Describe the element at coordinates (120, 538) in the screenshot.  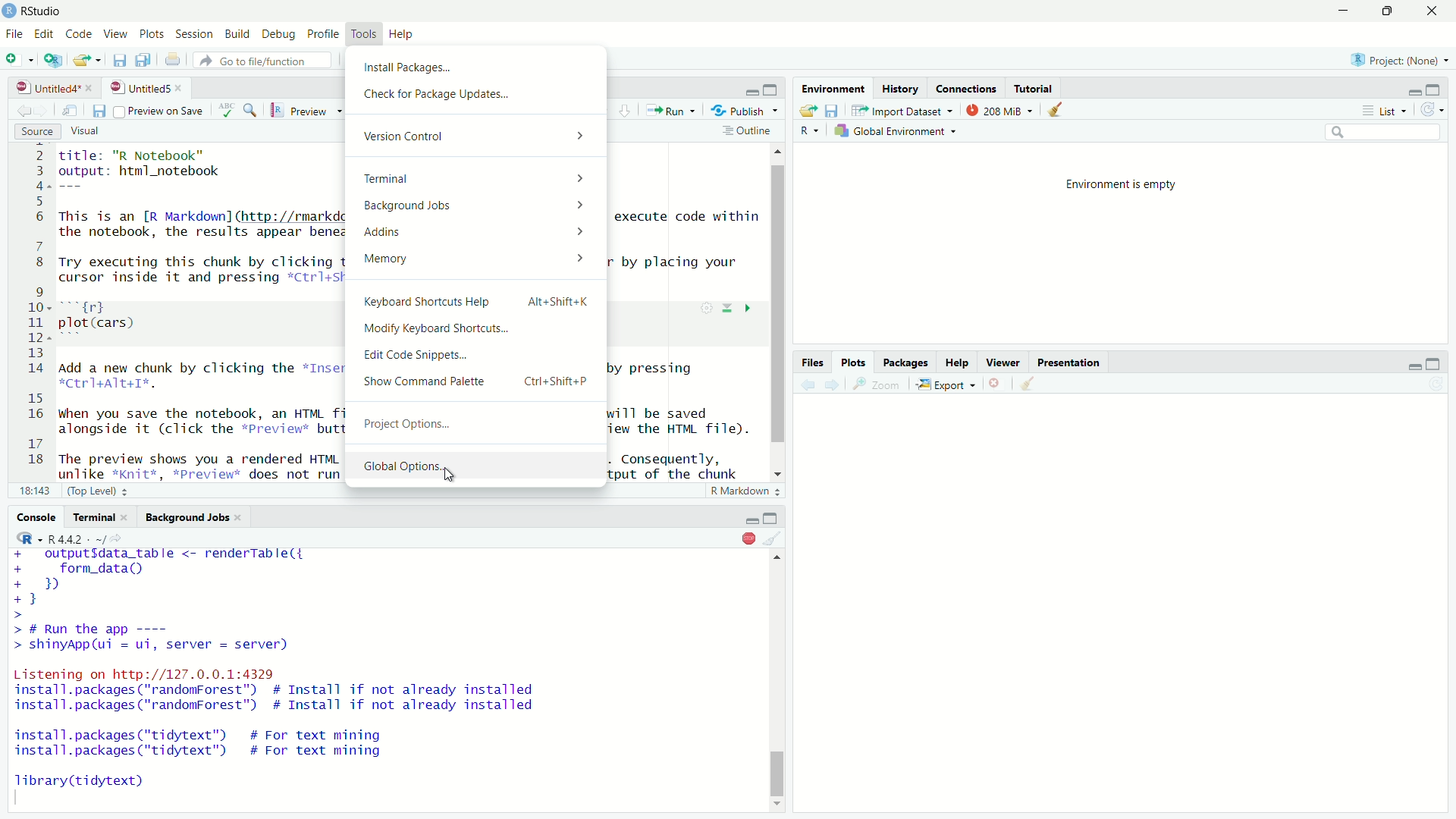
I see `view current working directory` at that location.